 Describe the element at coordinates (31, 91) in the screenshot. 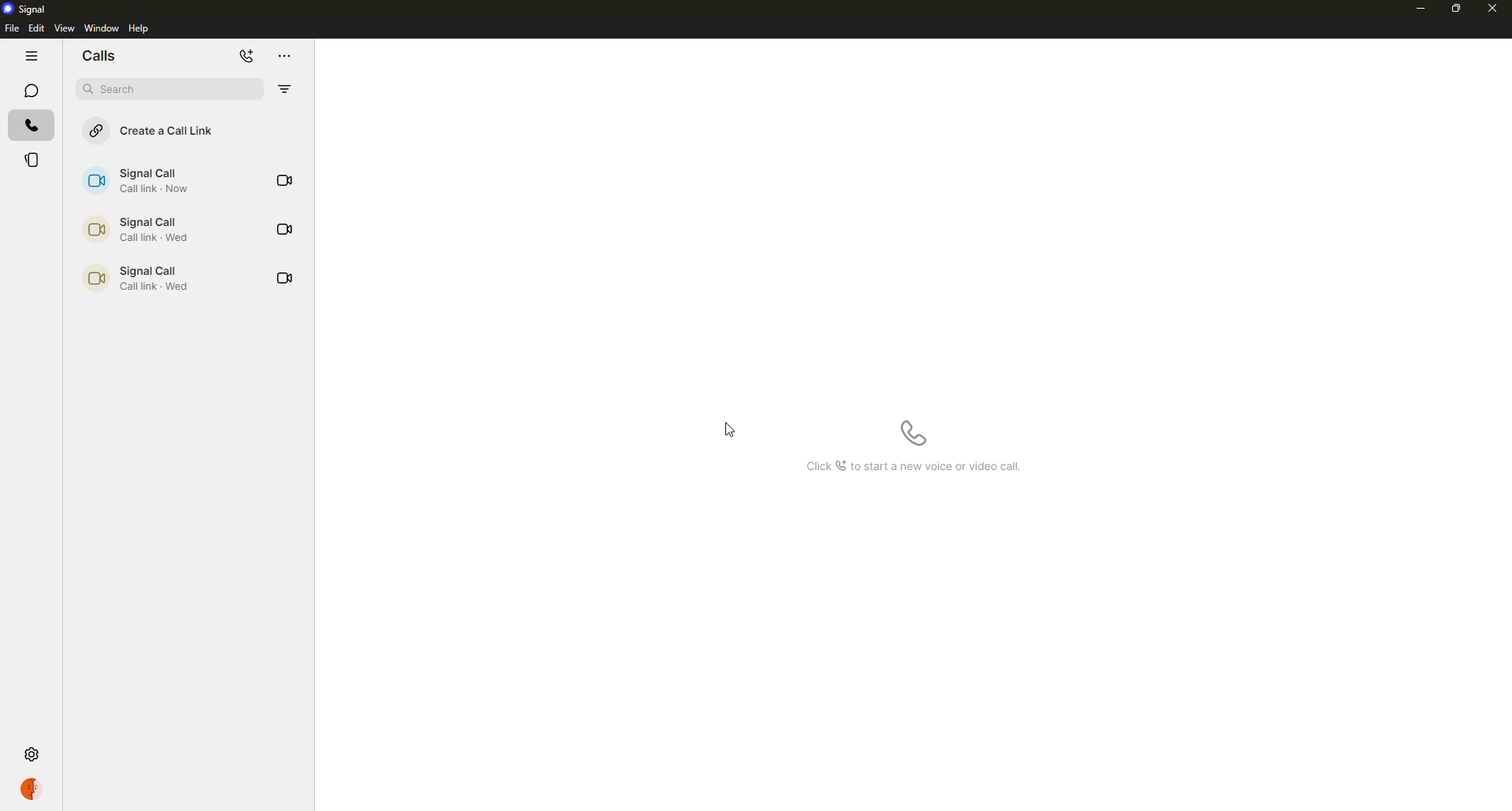

I see `chats` at that location.